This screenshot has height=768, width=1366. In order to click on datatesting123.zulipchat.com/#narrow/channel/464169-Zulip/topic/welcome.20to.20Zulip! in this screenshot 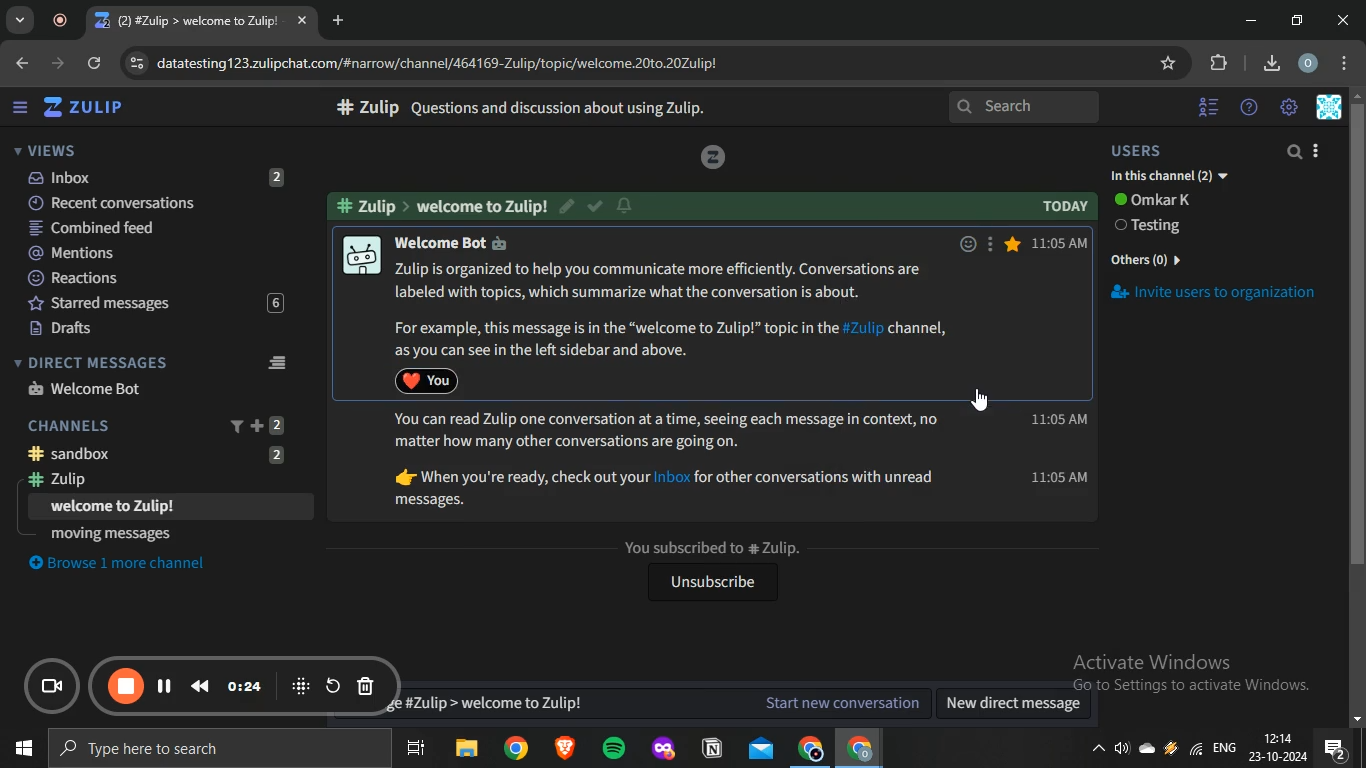, I will do `click(429, 61)`.